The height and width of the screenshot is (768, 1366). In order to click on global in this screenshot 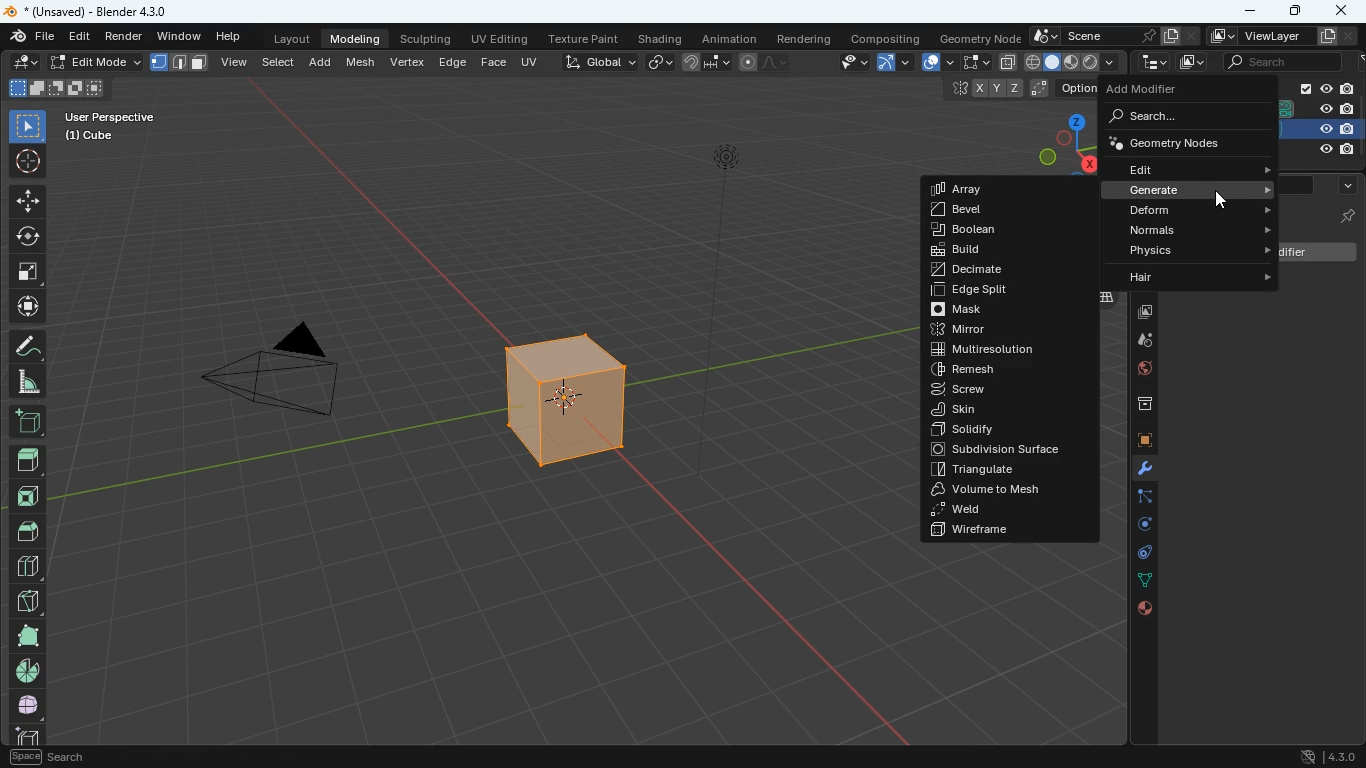, I will do `click(592, 63)`.